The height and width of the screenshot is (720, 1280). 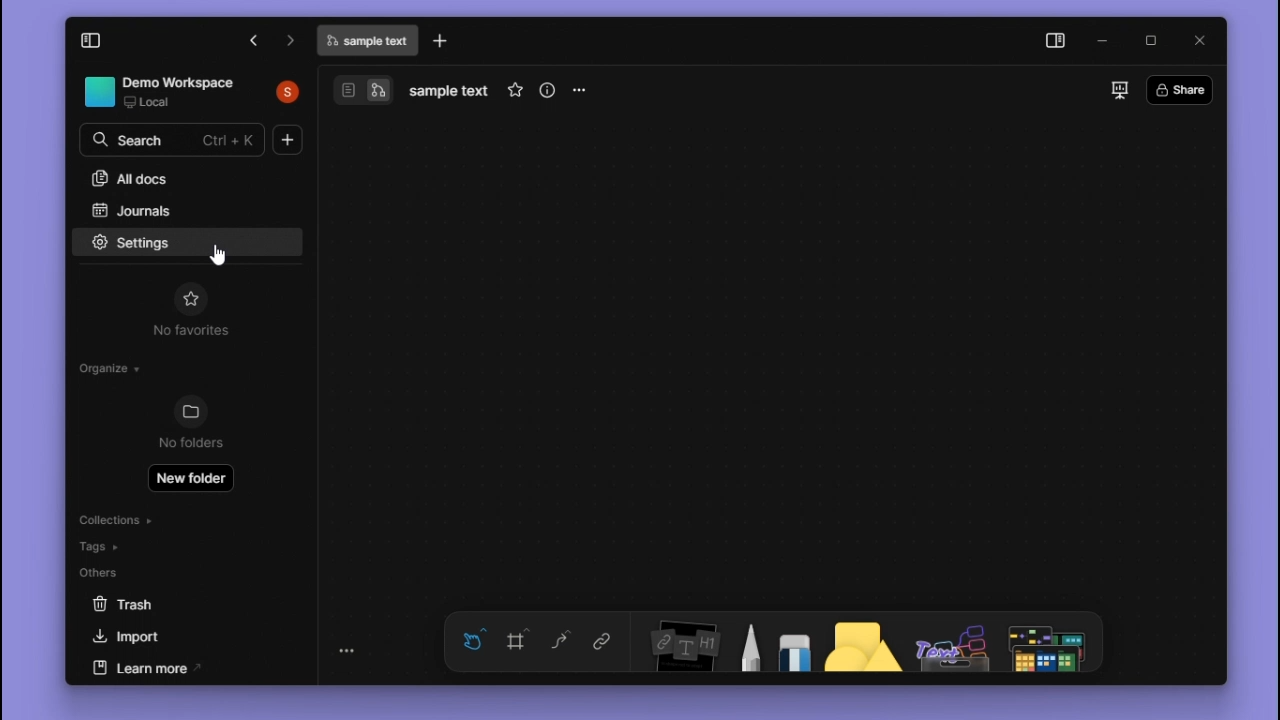 I want to click on switch page view/ edgeless view, so click(x=359, y=89).